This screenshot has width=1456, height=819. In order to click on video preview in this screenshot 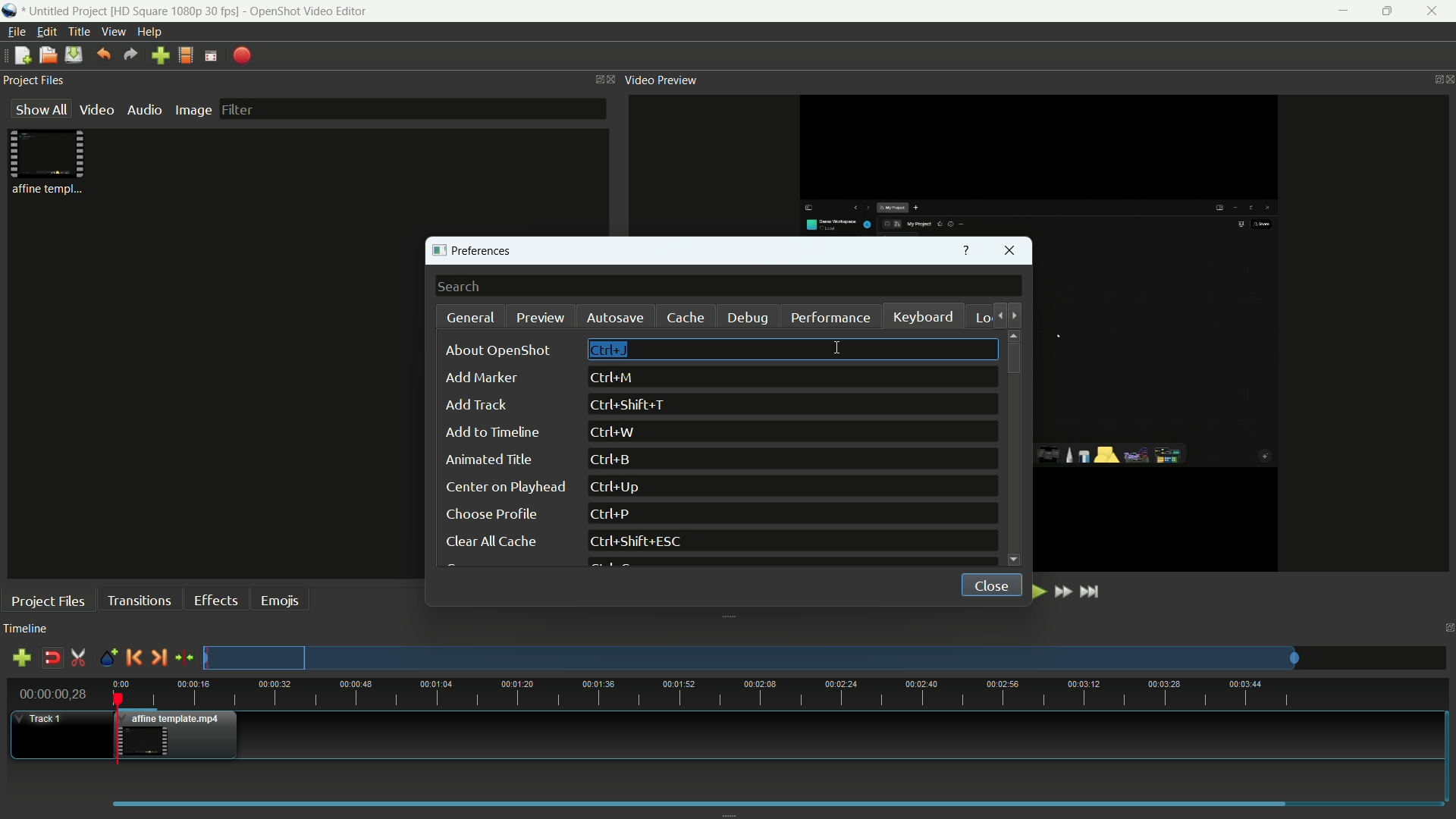, I will do `click(662, 80)`.